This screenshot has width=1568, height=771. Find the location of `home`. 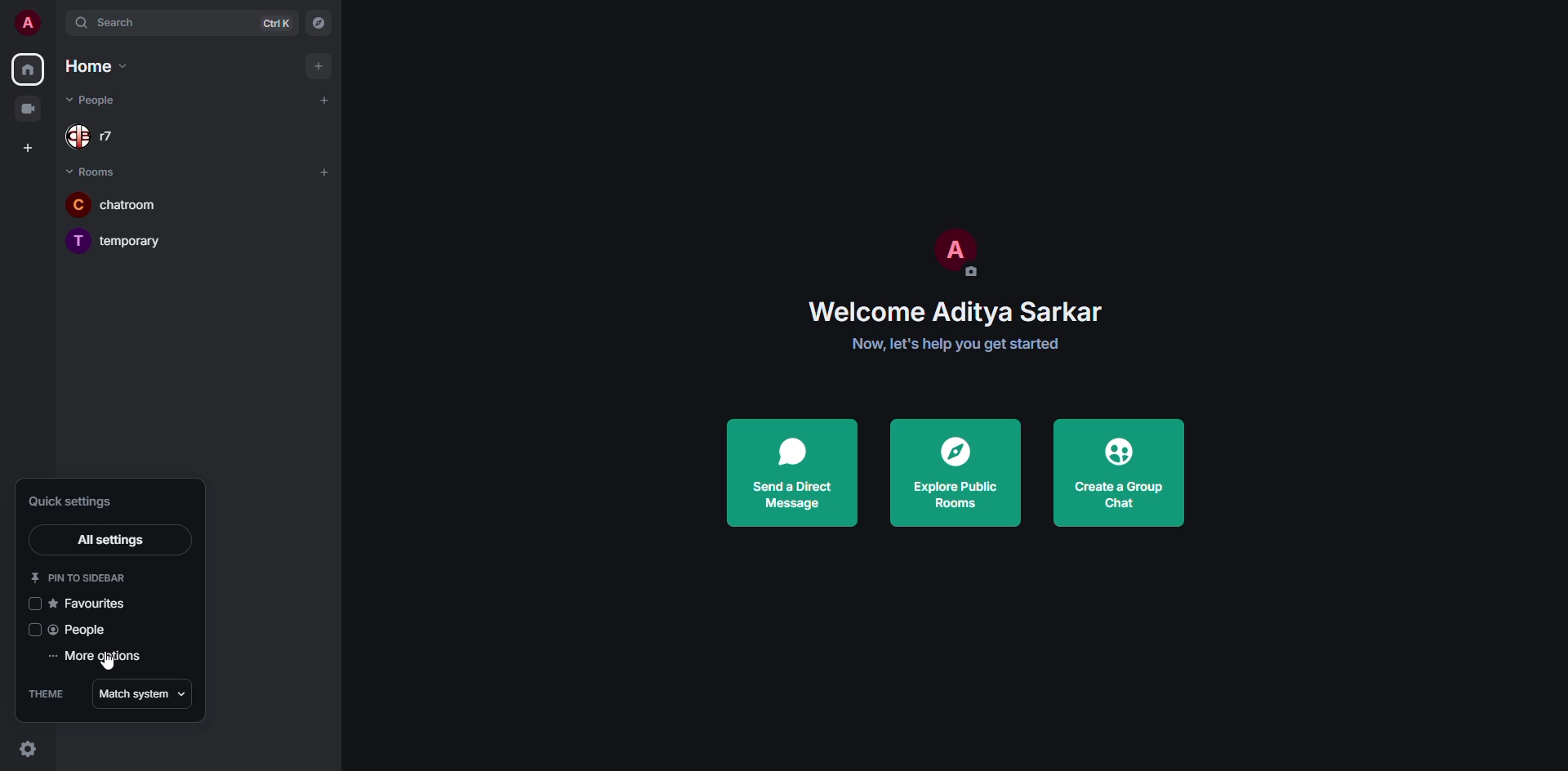

home is located at coordinates (29, 67).